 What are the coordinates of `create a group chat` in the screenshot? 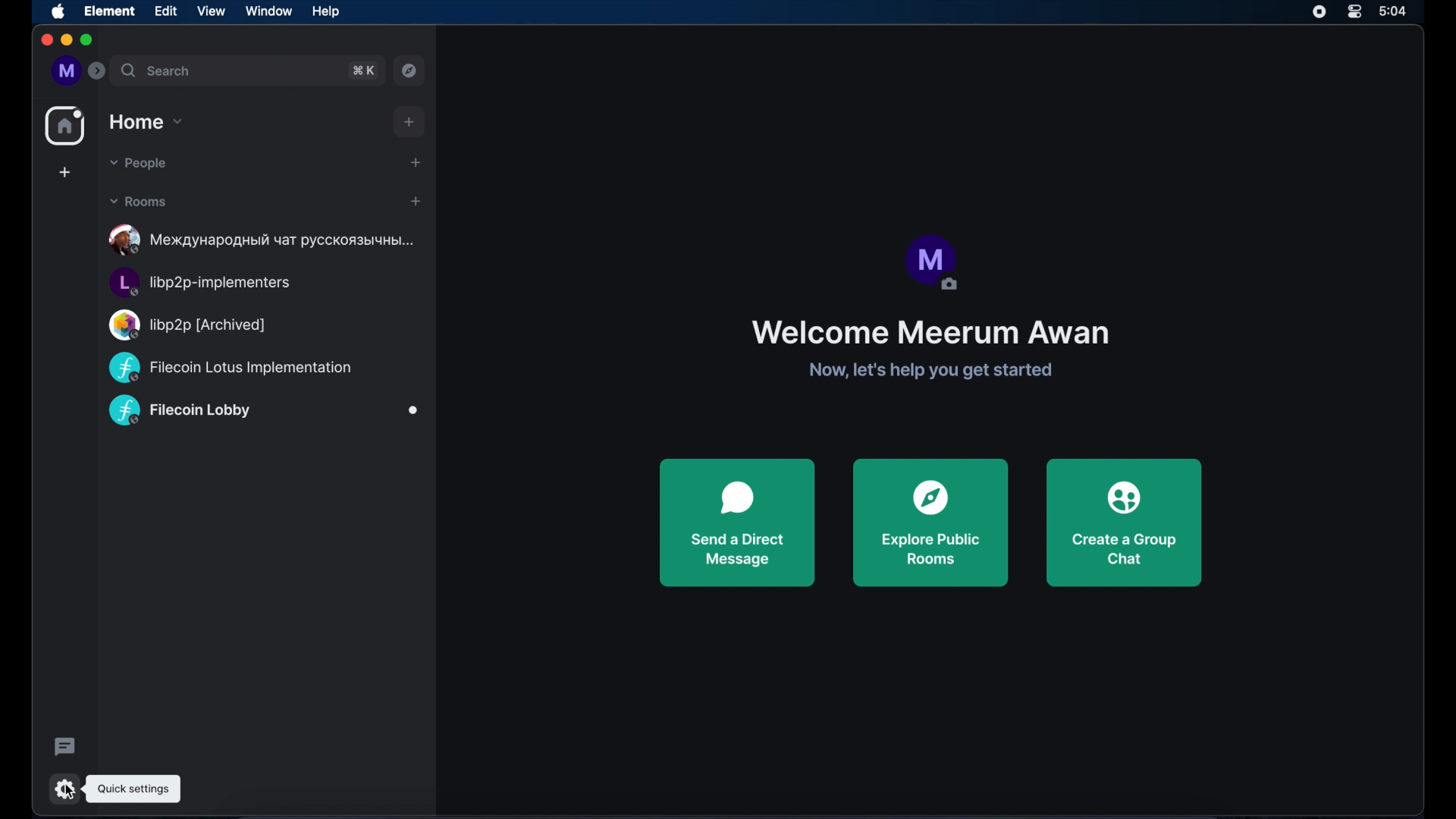 It's located at (1125, 522).